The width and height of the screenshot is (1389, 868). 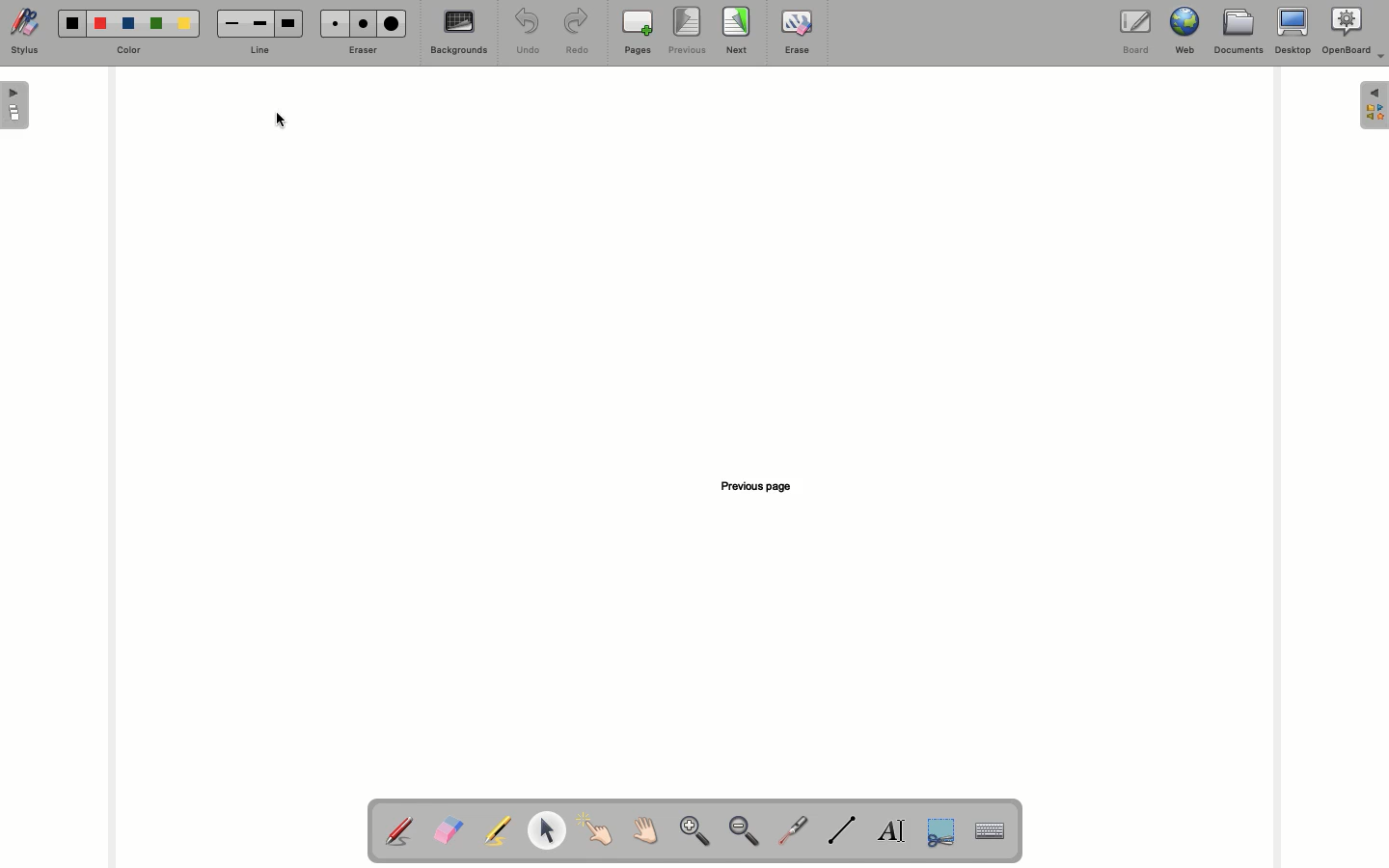 I want to click on Zoom out, so click(x=745, y=832).